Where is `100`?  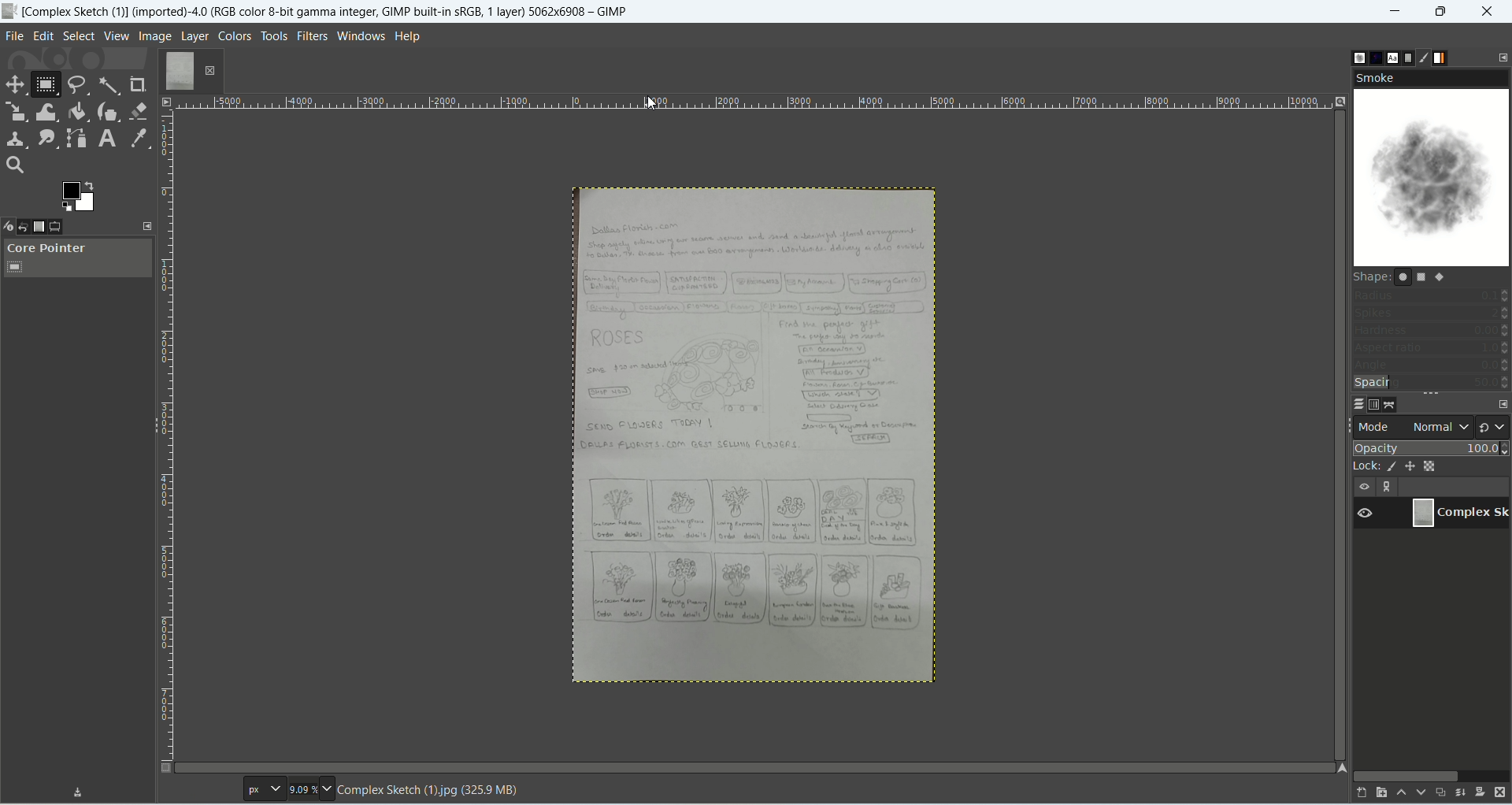
100 is located at coordinates (1481, 449).